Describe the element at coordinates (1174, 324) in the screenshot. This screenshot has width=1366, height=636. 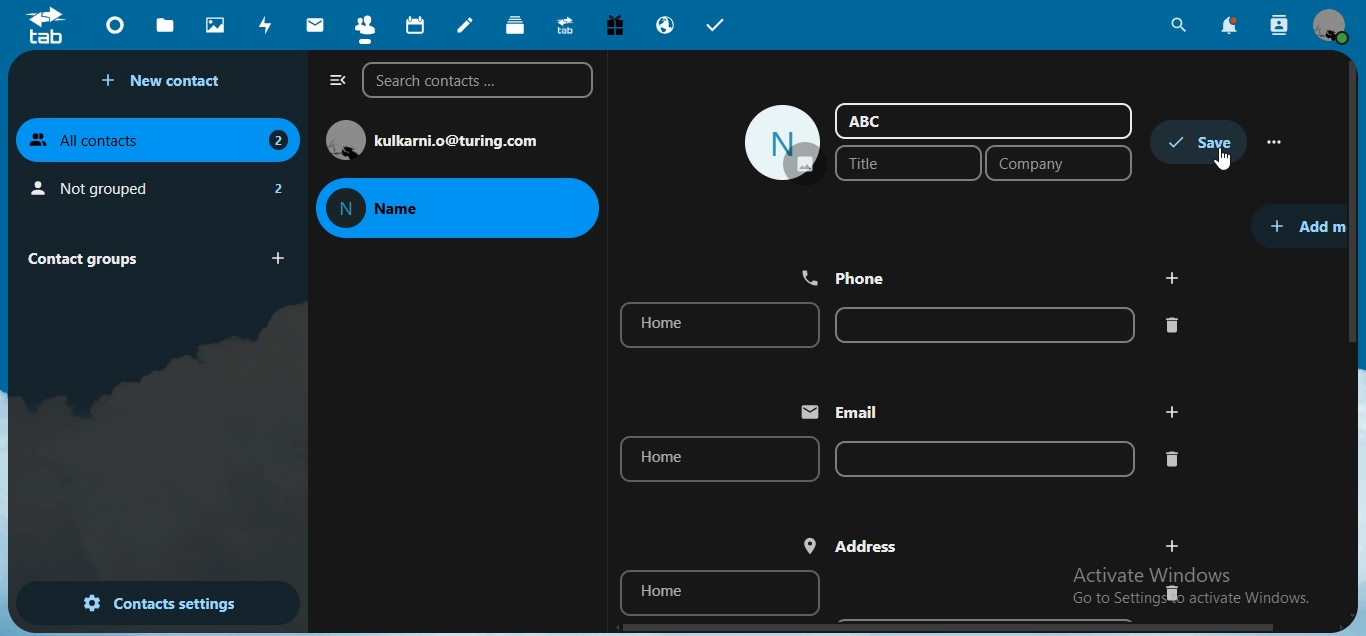
I see `delete` at that location.